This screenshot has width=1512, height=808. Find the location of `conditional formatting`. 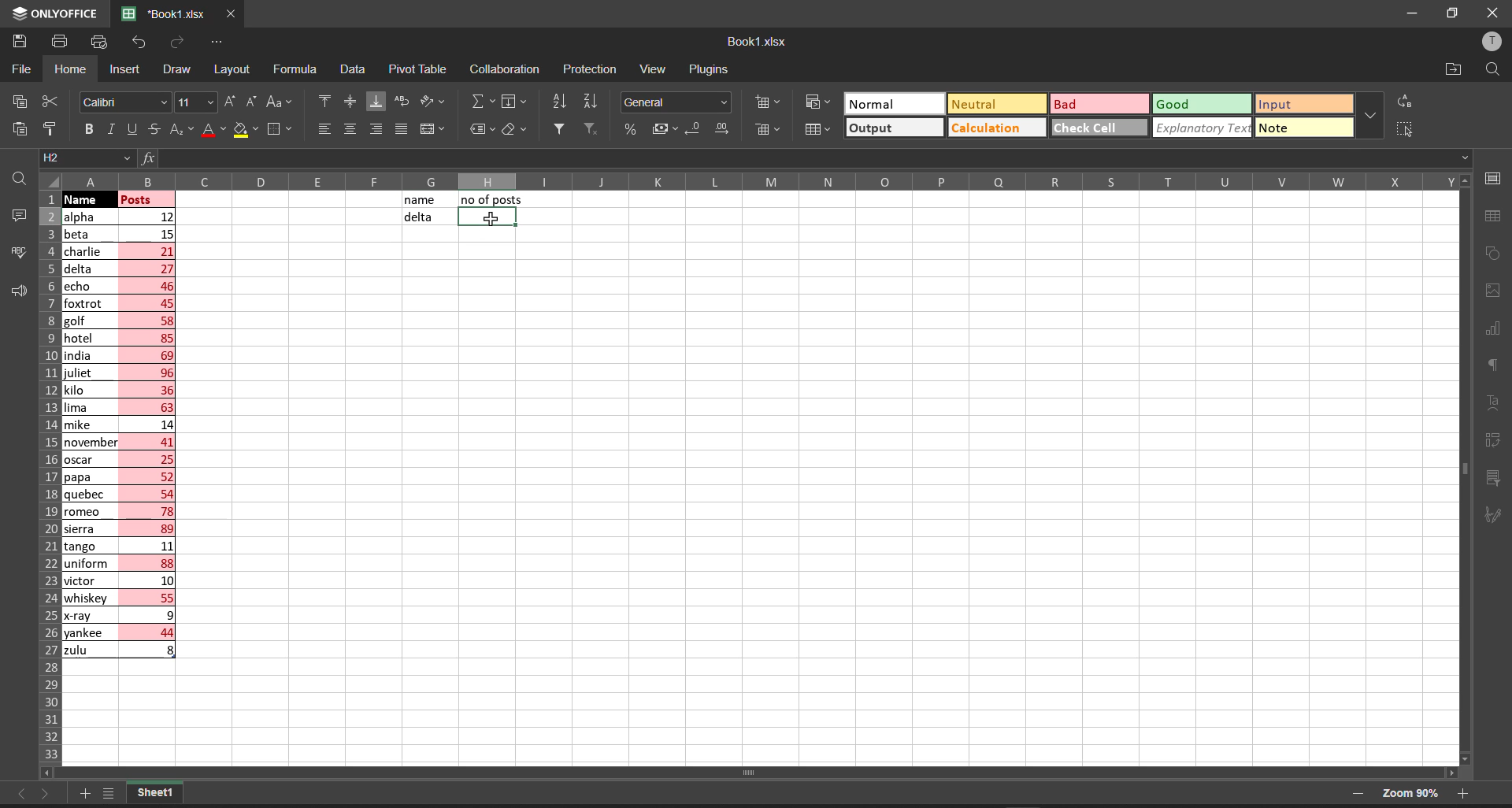

conditional formatting is located at coordinates (817, 101).